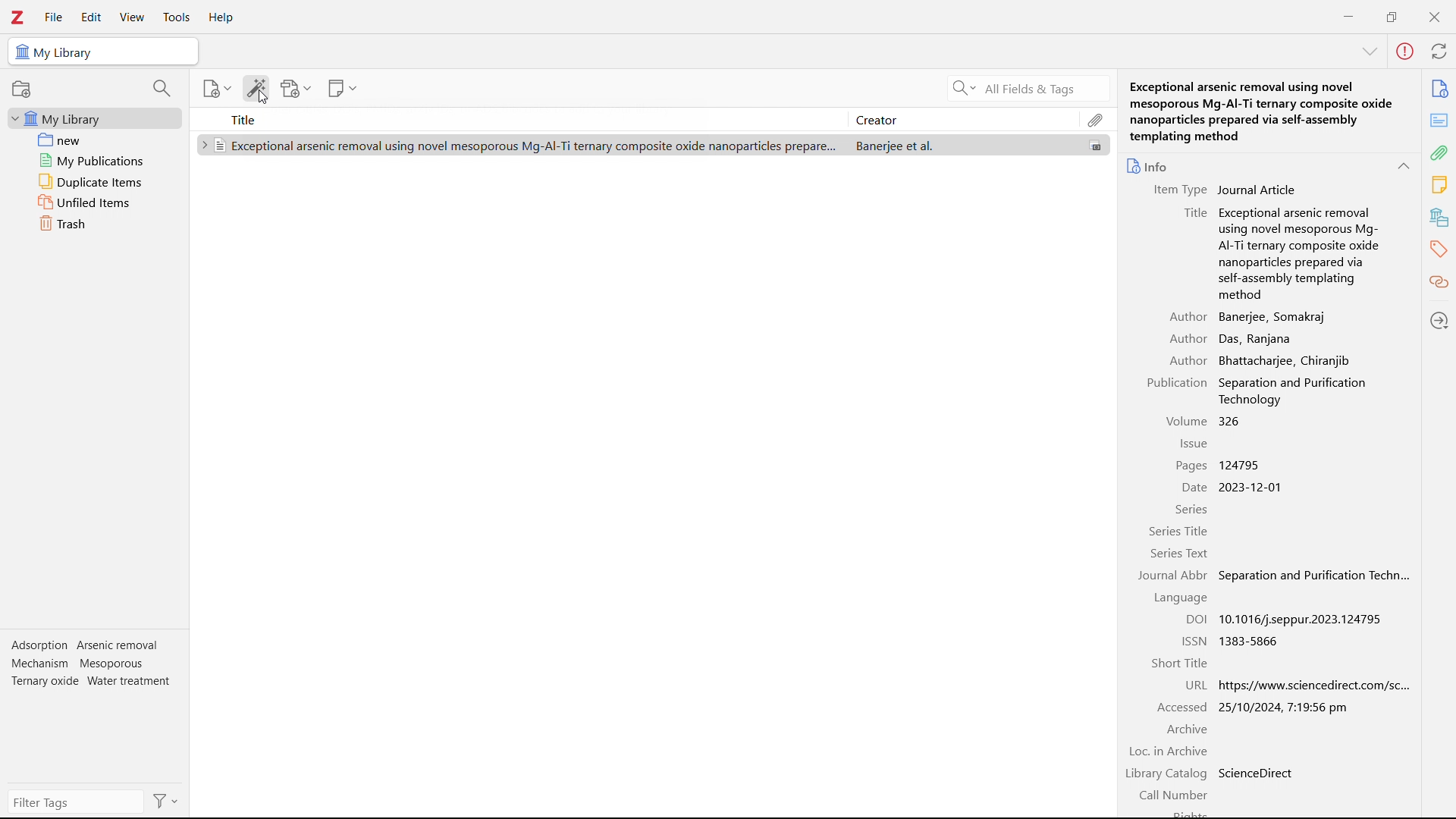 Image resolution: width=1456 pixels, height=819 pixels. What do you see at coordinates (1259, 339) in the screenshot?
I see `Das, Ranjana` at bounding box center [1259, 339].